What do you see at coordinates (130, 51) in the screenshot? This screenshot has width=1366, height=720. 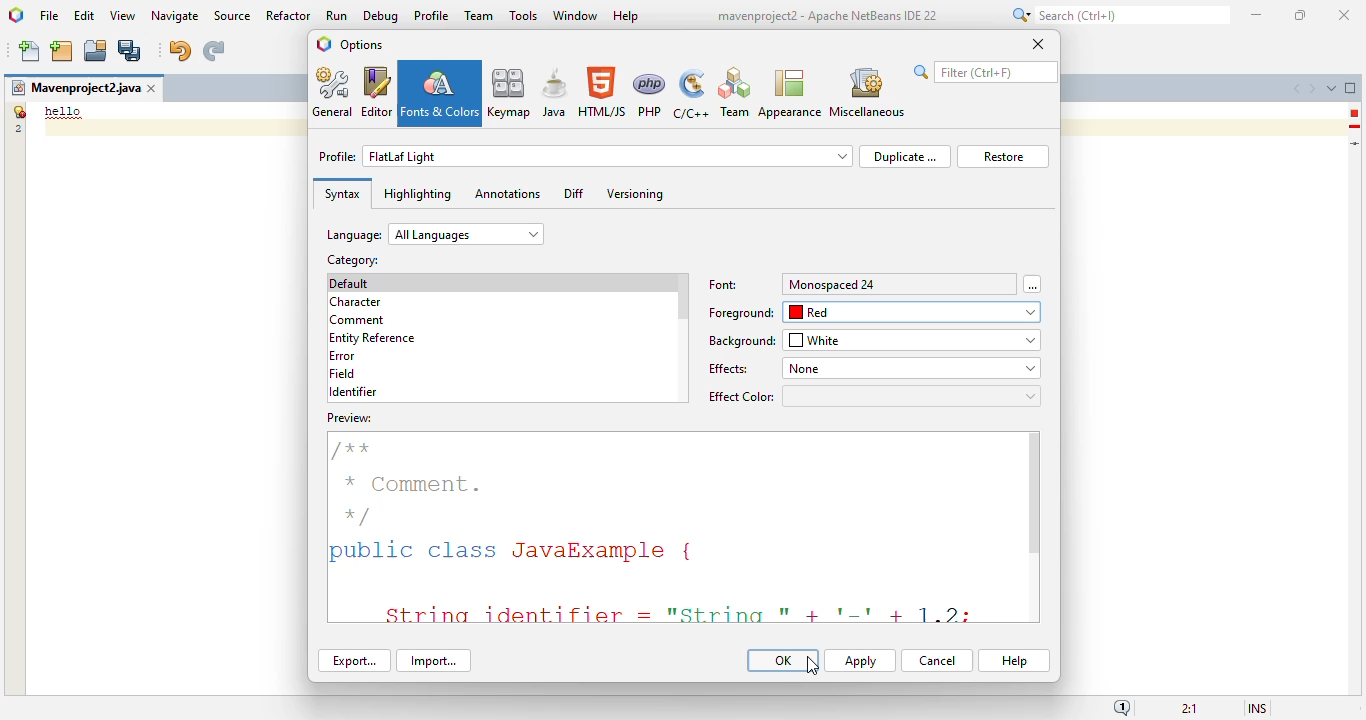 I see `save all` at bounding box center [130, 51].